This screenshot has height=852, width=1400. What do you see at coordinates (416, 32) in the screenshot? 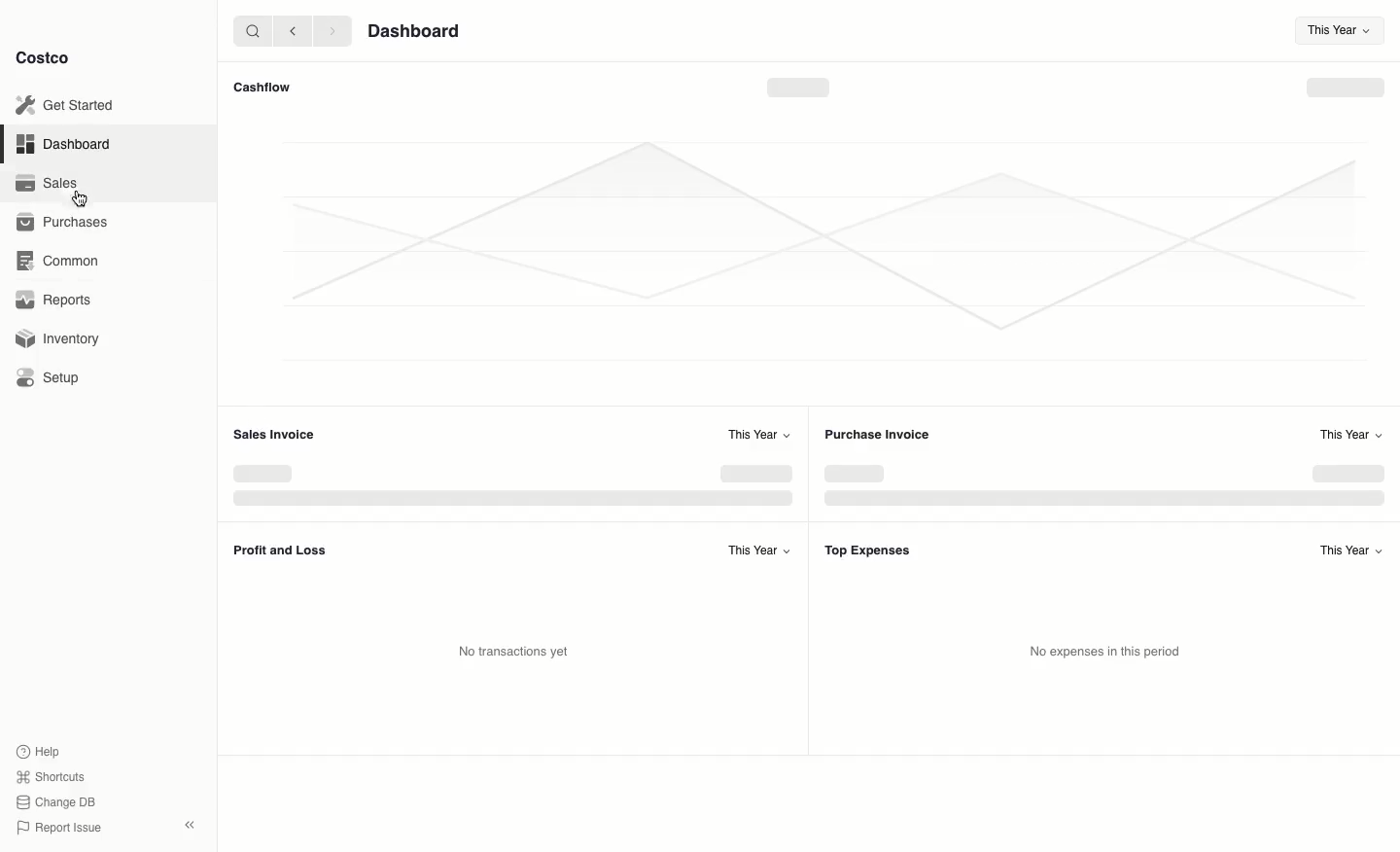
I see `Dashboard` at bounding box center [416, 32].